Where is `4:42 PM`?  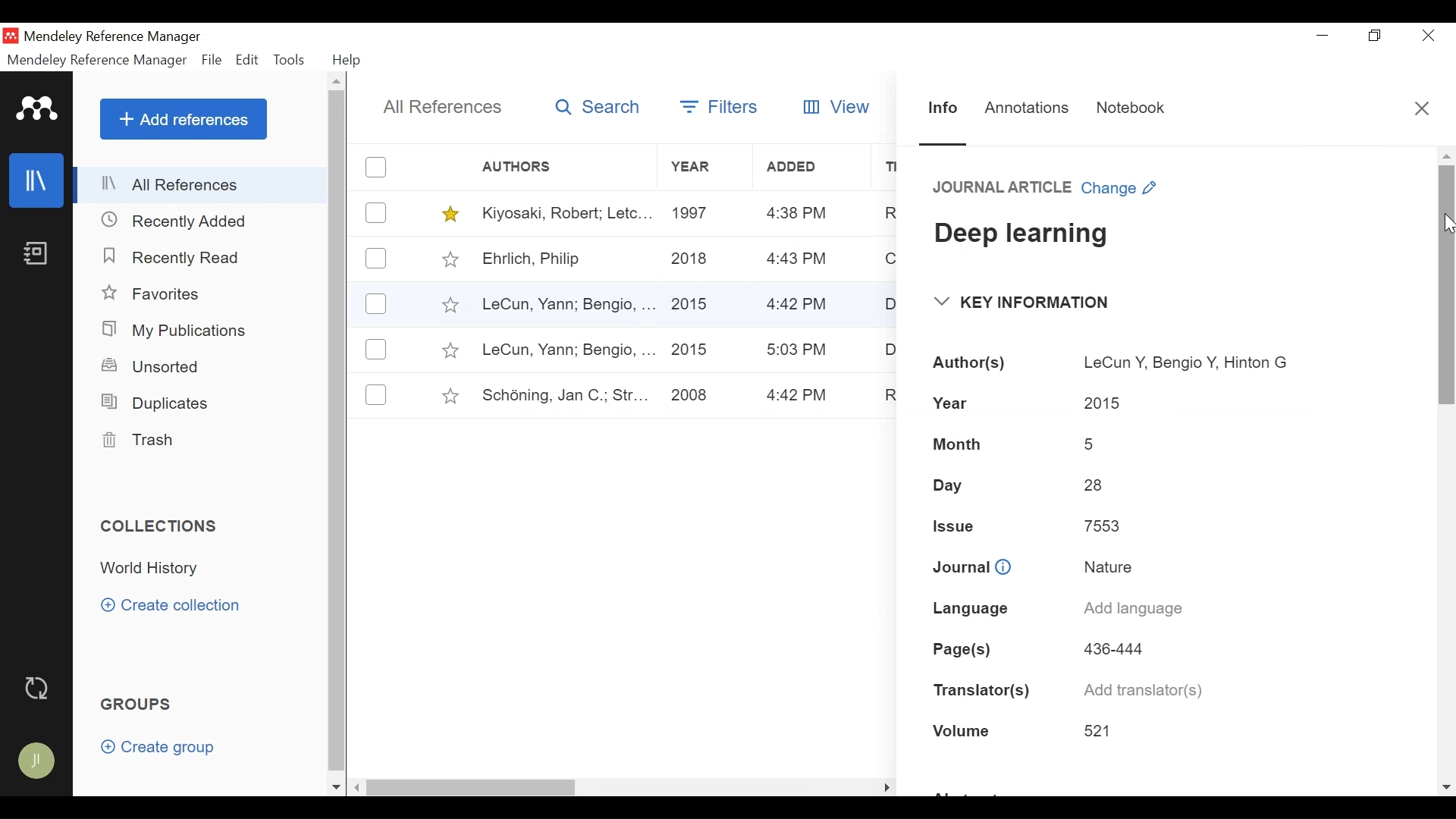 4:42 PM is located at coordinates (799, 306).